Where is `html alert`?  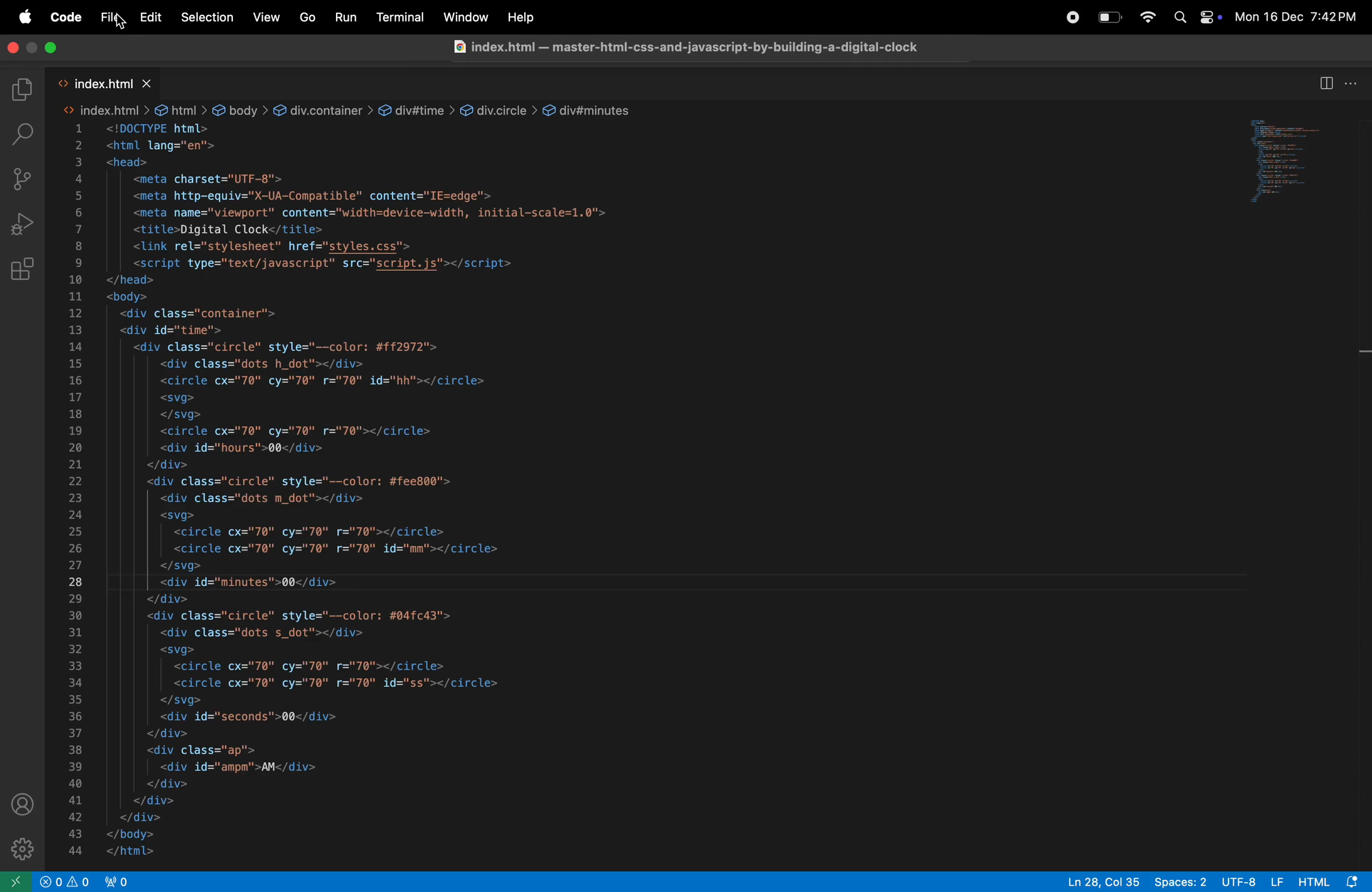 html alert is located at coordinates (1330, 882).